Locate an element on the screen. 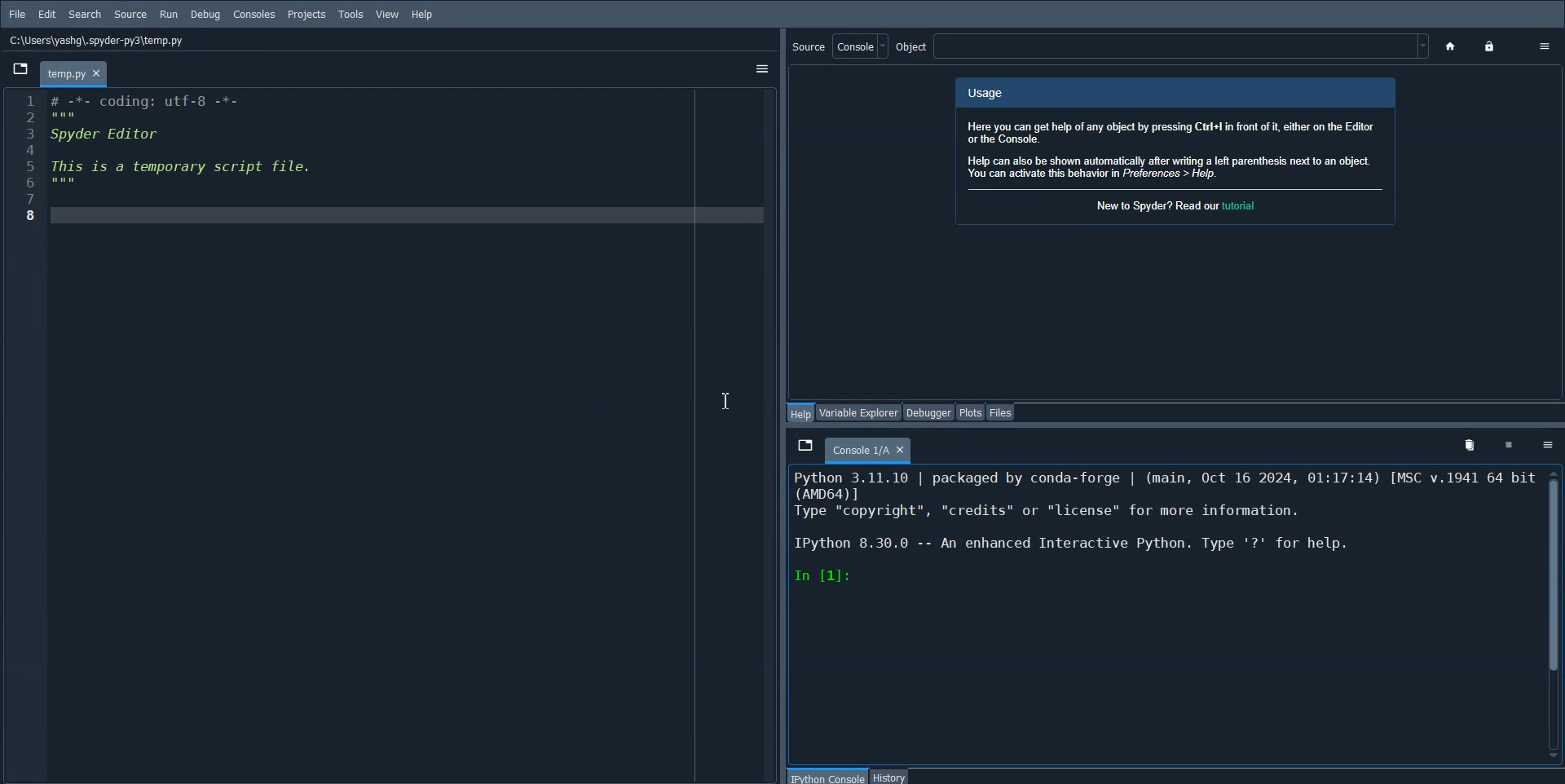  Console tab - Console 1/A is located at coordinates (868, 451).